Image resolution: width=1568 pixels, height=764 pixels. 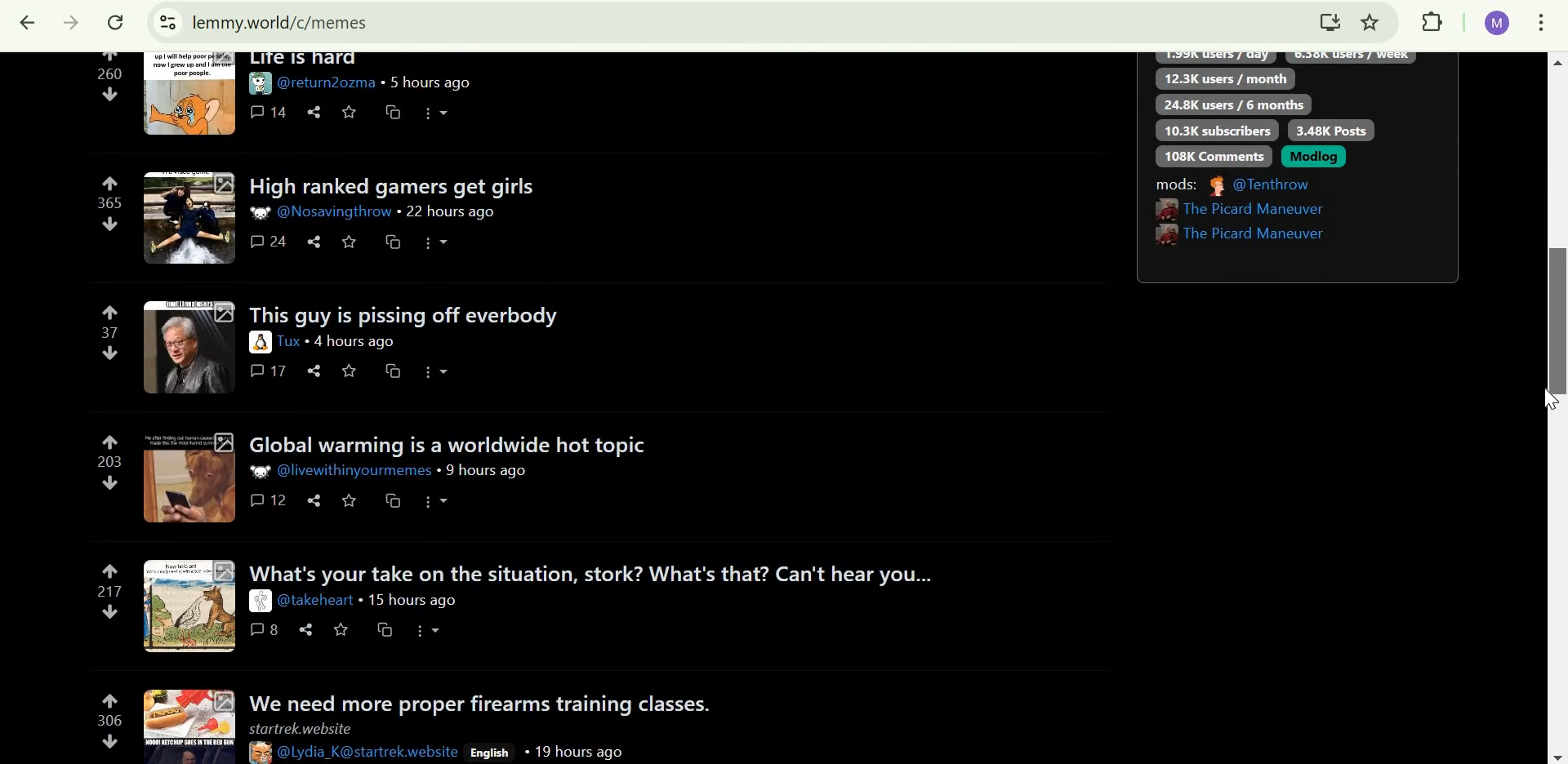 What do you see at coordinates (260, 214) in the screenshot?
I see `picture` at bounding box center [260, 214].